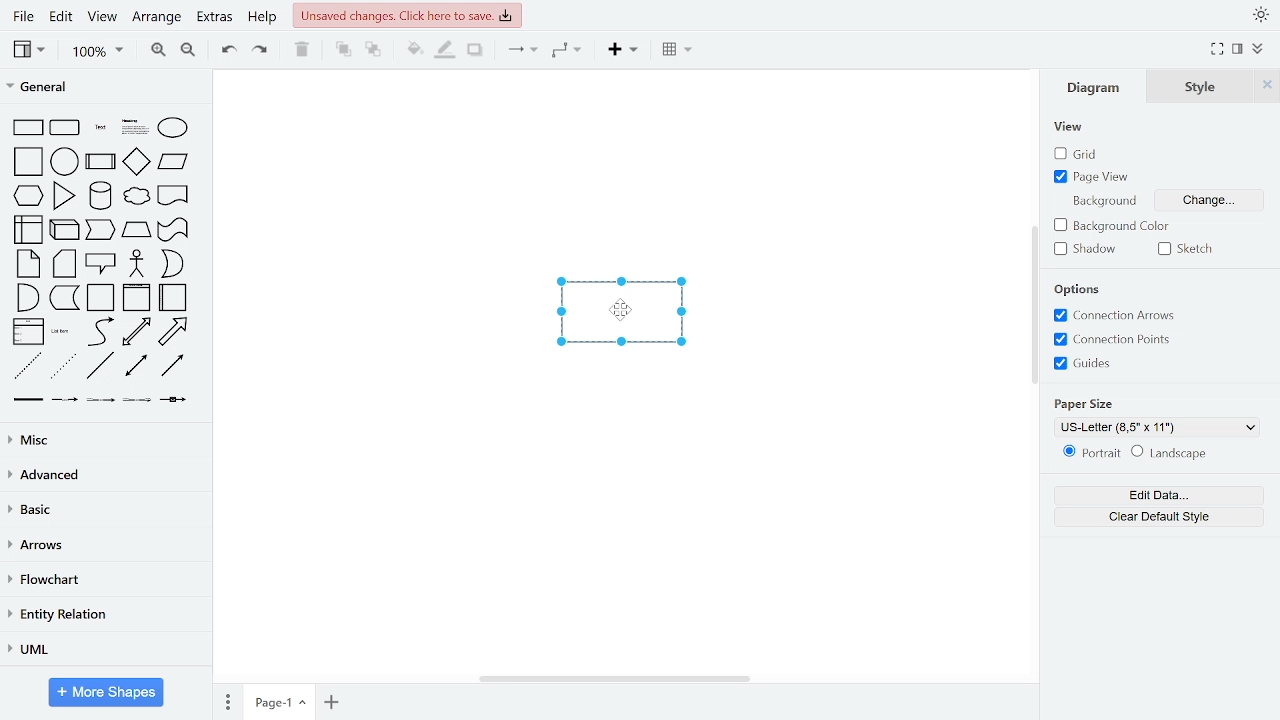 This screenshot has width=1280, height=720. Describe the element at coordinates (97, 332) in the screenshot. I see `general shapes` at that location.